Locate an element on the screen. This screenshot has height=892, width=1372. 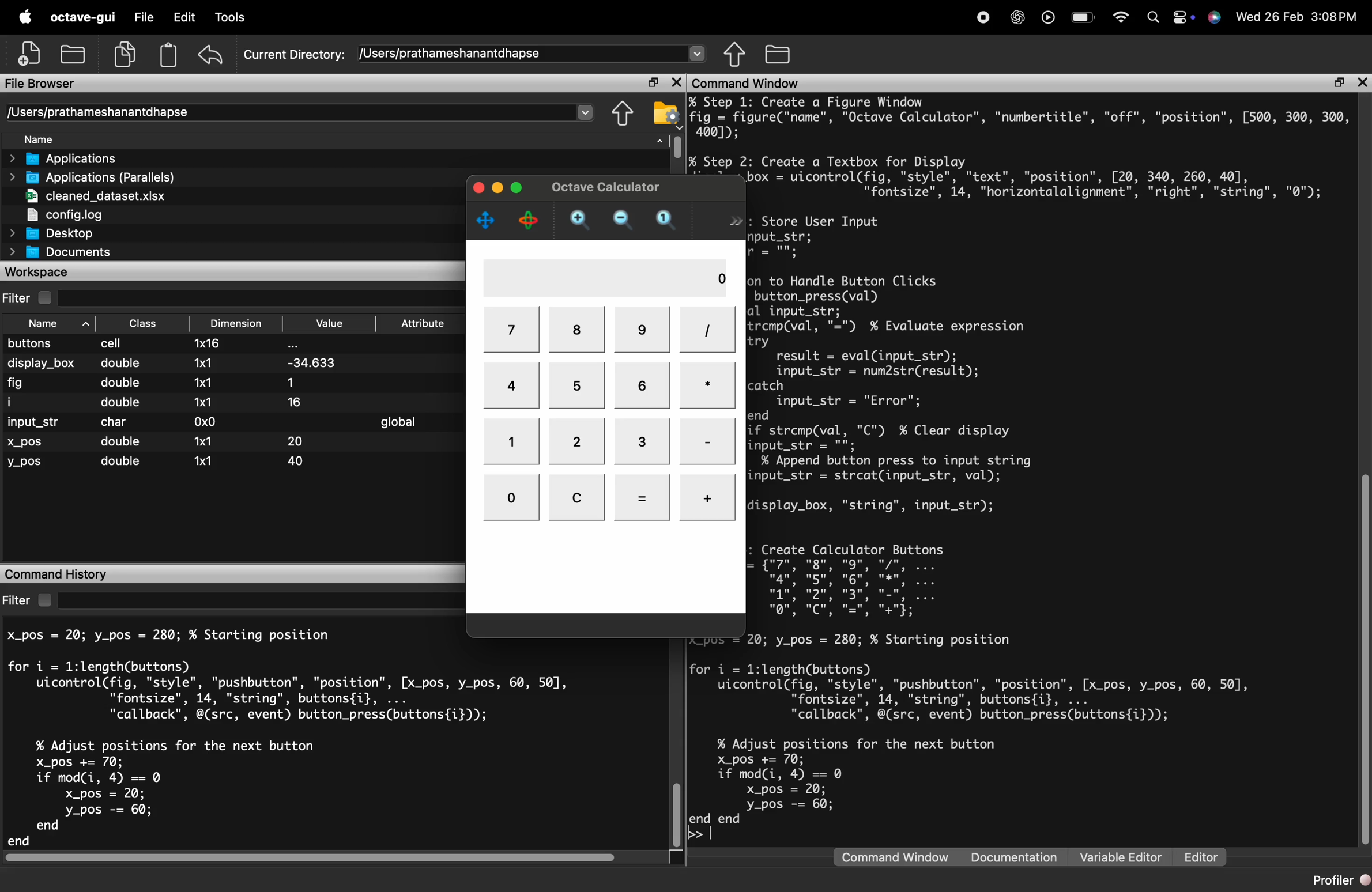
wifi is located at coordinates (1122, 14).